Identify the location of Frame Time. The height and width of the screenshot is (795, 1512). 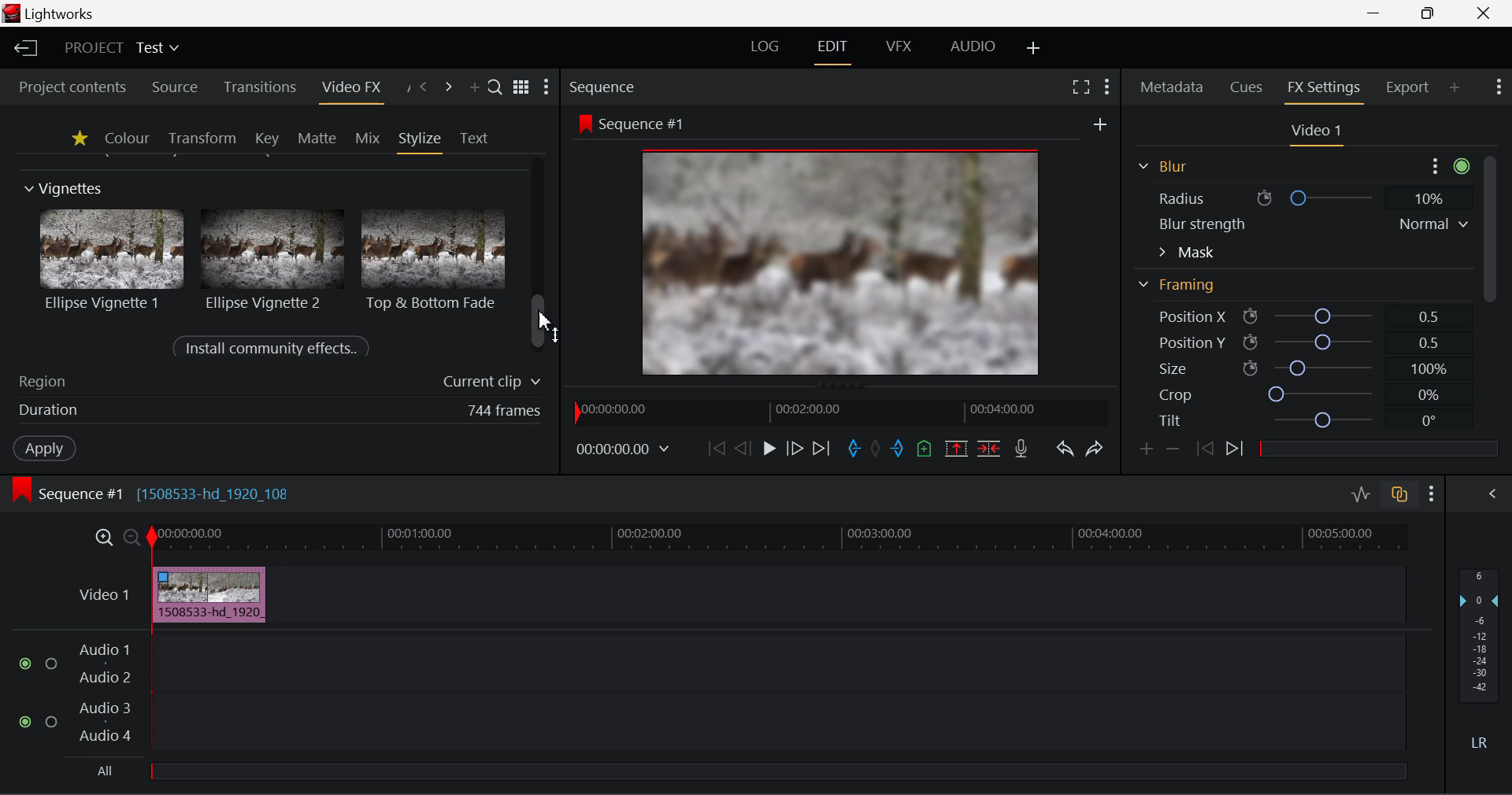
(624, 448).